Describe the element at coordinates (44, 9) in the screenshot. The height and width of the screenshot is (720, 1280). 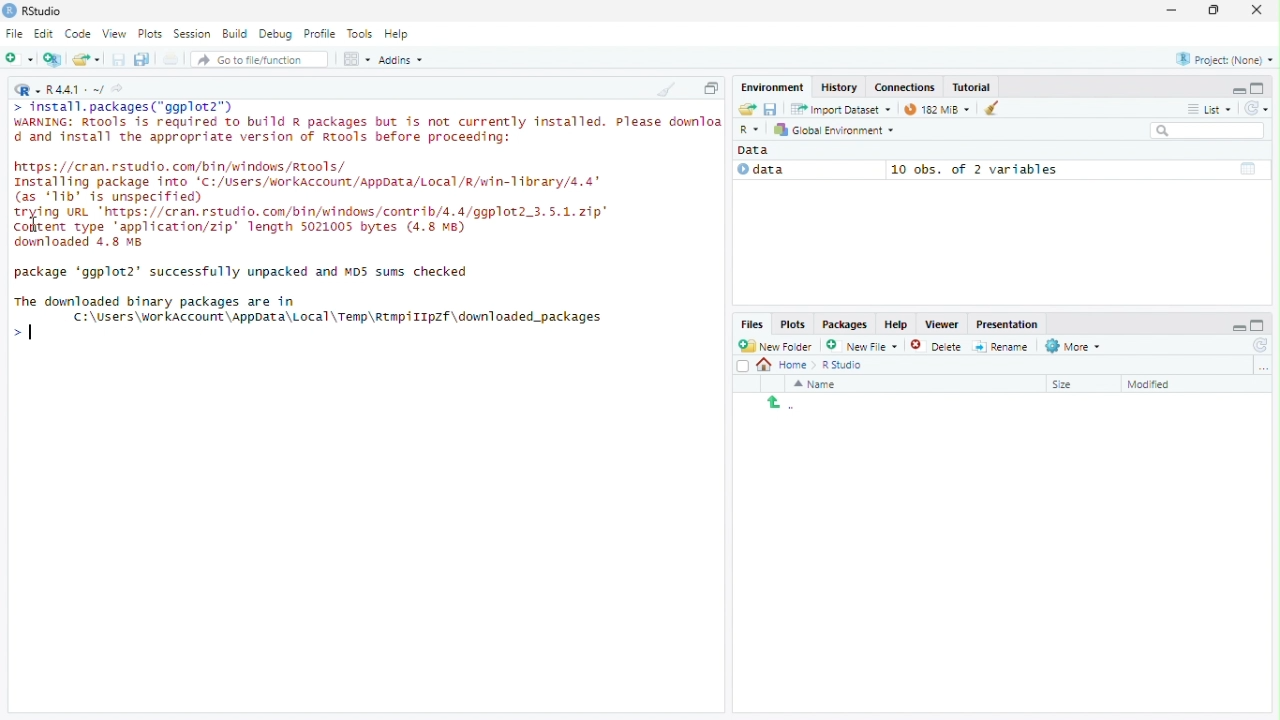
I see `RStudio` at that location.